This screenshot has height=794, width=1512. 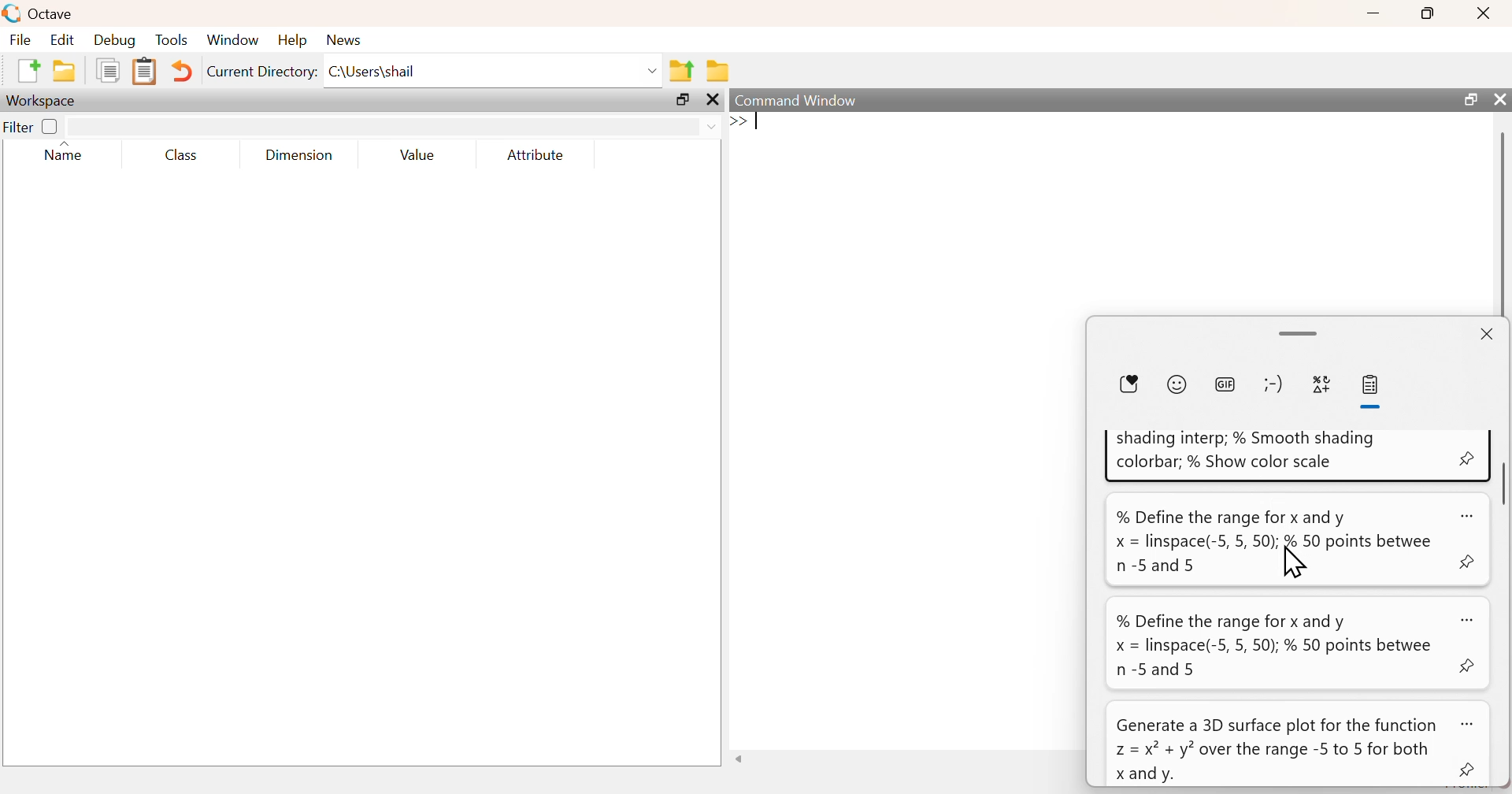 I want to click on Generate a 3D surface plot for the functionz =x? + y* over the range -5 to 5 for both x and y., so click(x=1275, y=749).